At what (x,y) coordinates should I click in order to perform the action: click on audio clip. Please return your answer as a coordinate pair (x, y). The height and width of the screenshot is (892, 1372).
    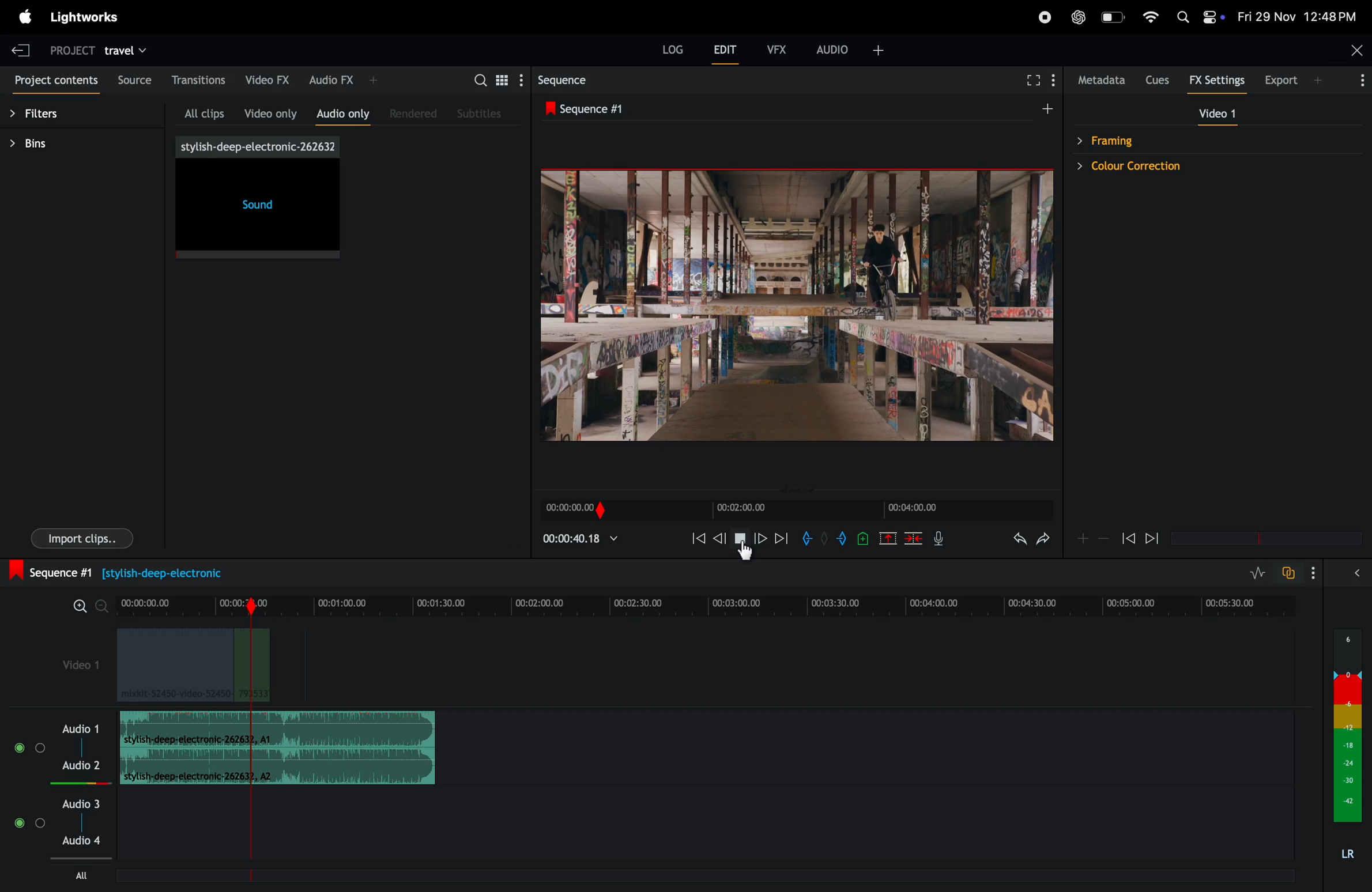
    Looking at the image, I should click on (193, 666).